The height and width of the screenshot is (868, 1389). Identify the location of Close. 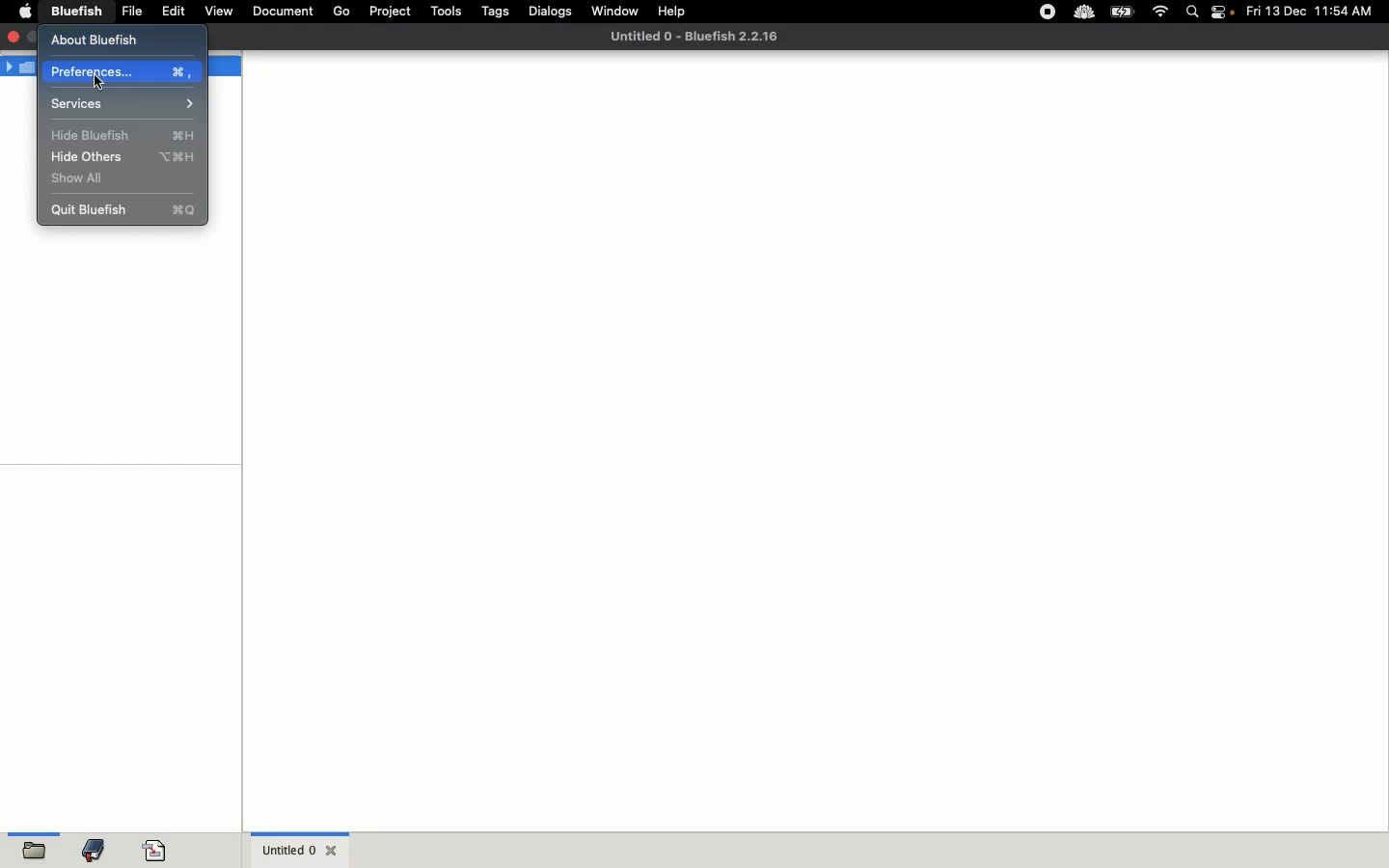
(15, 36).